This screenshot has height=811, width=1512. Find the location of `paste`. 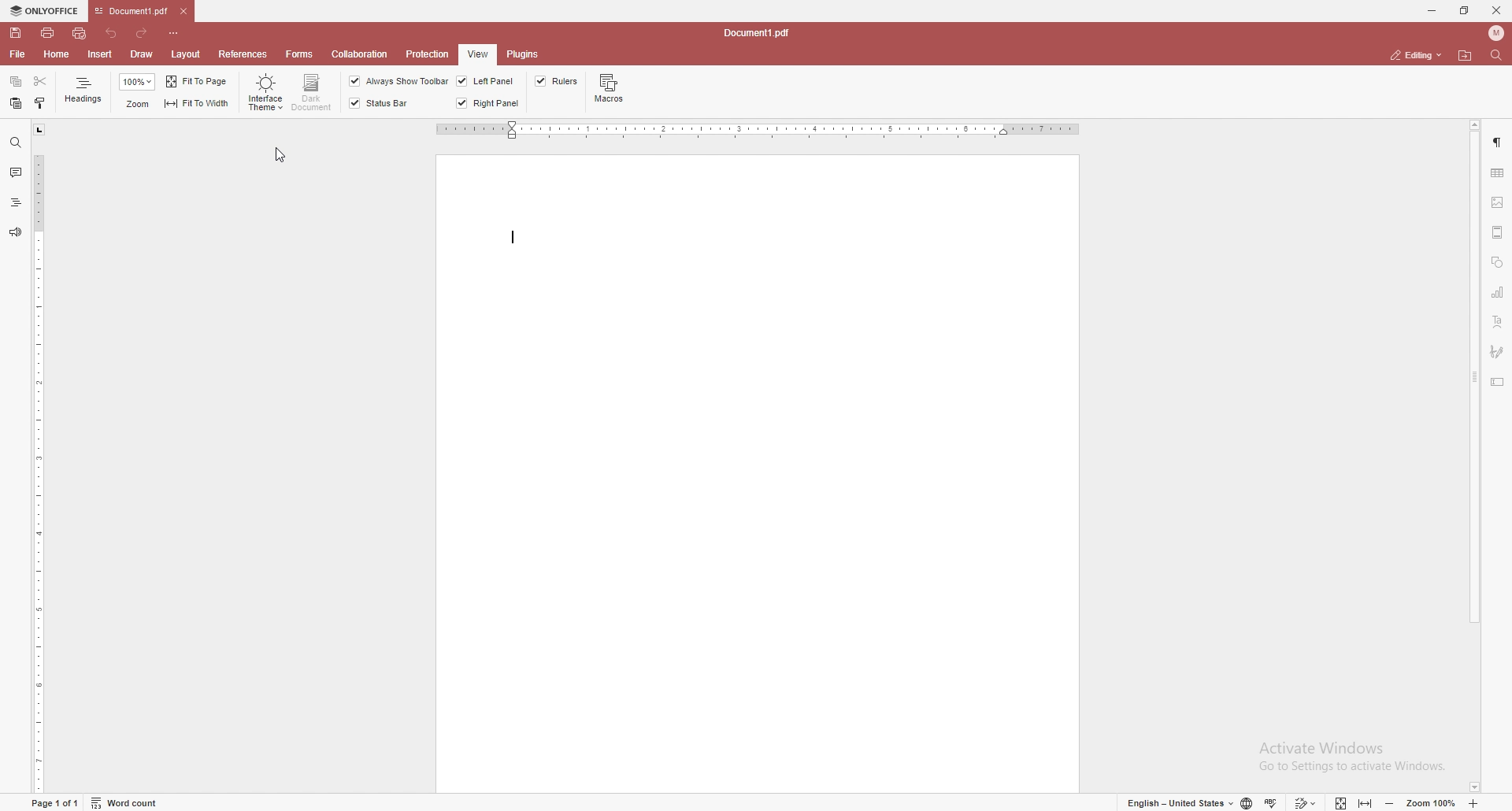

paste is located at coordinates (16, 103).